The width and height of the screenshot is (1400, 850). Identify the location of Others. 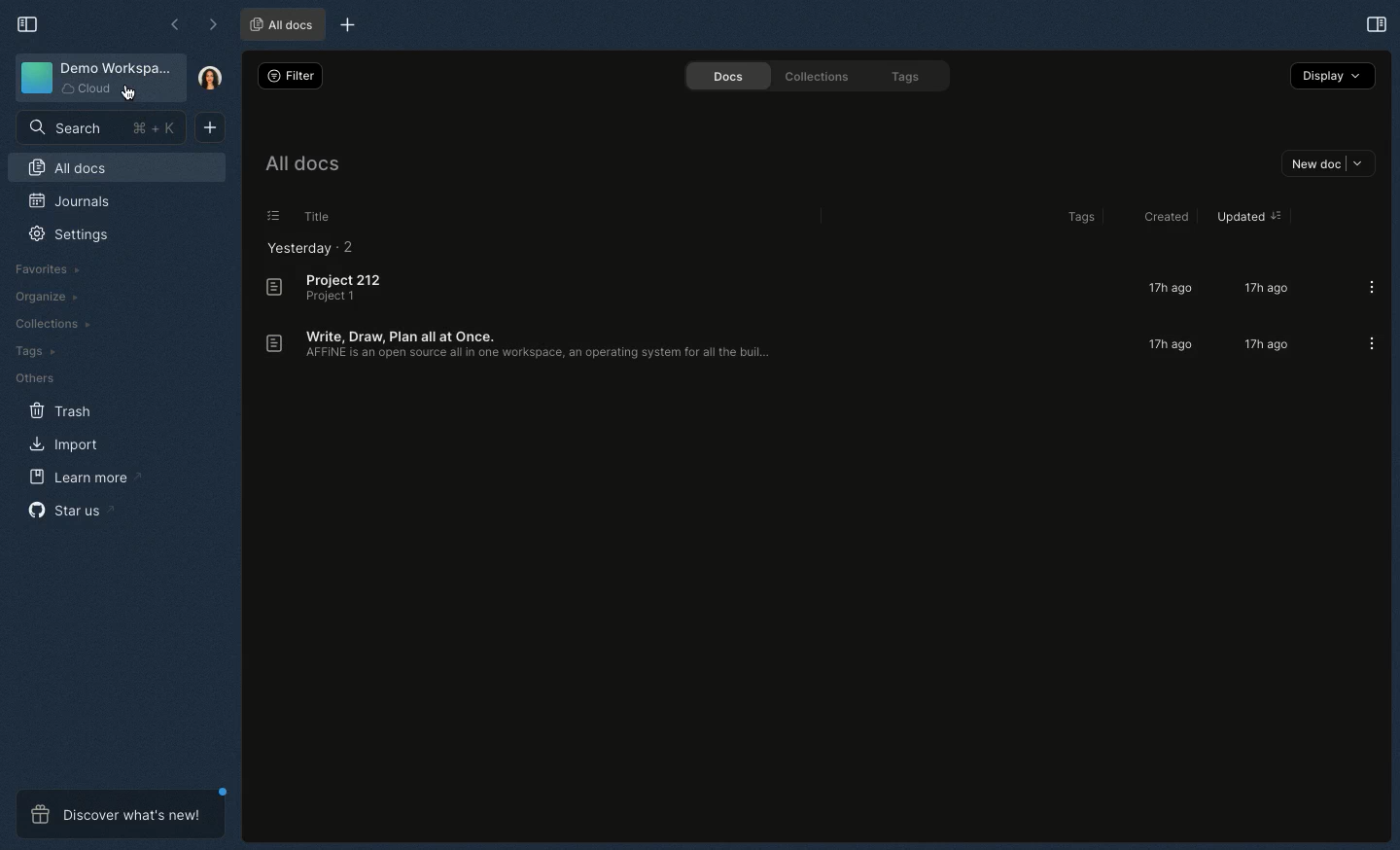
(33, 377).